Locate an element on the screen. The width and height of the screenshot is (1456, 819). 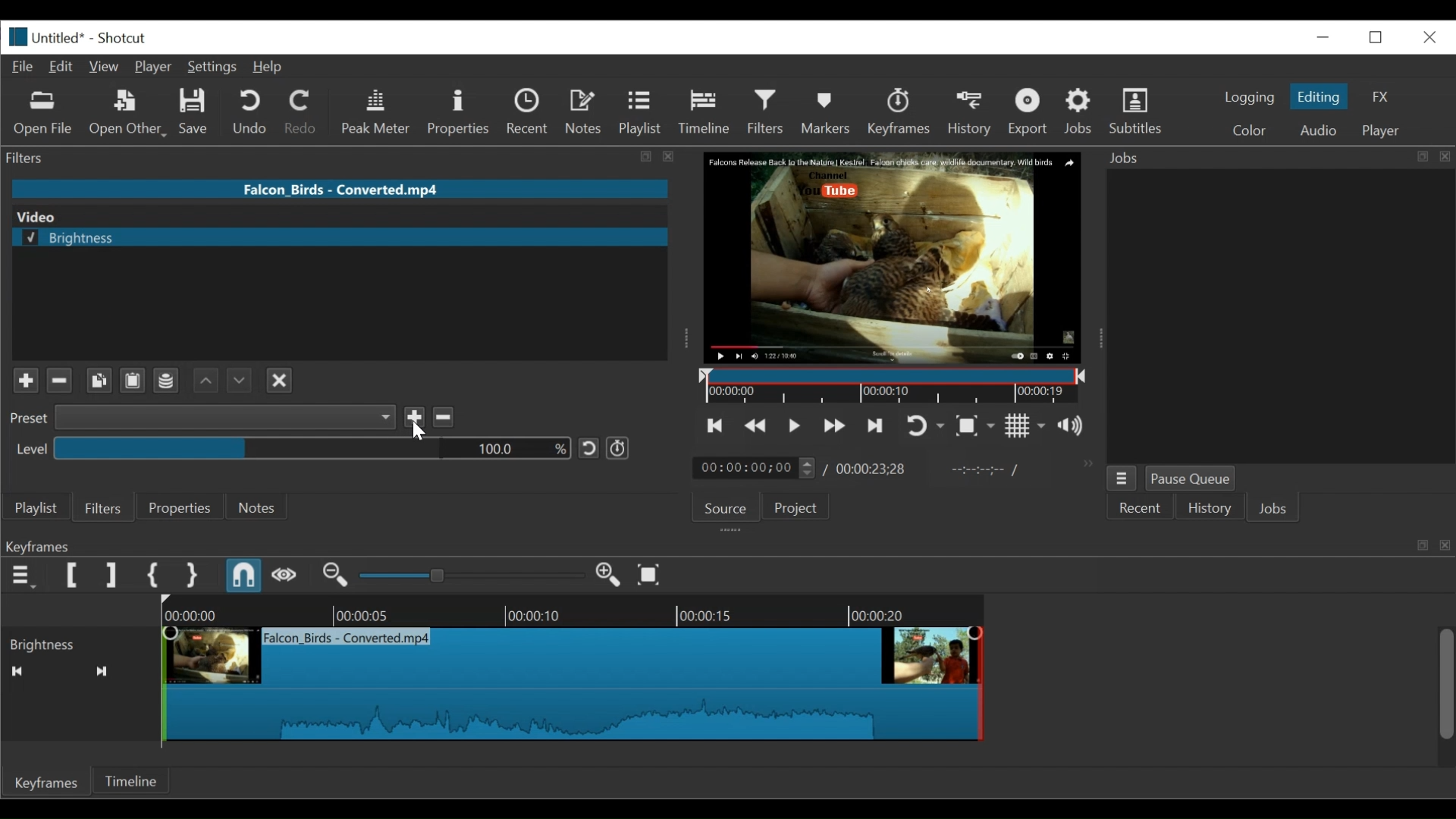
Playlist is located at coordinates (640, 114).